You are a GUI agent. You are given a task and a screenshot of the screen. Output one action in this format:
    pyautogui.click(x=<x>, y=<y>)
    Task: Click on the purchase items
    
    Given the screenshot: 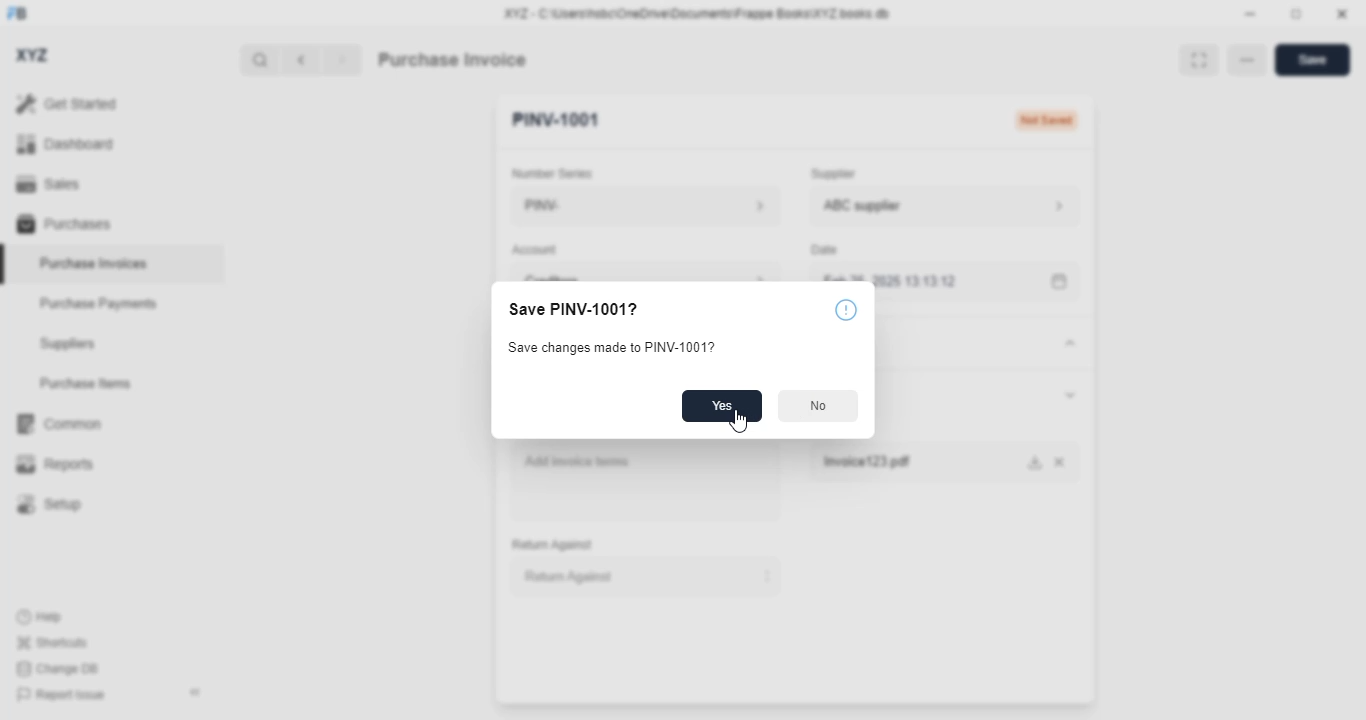 What is the action you would take?
    pyautogui.click(x=86, y=383)
    